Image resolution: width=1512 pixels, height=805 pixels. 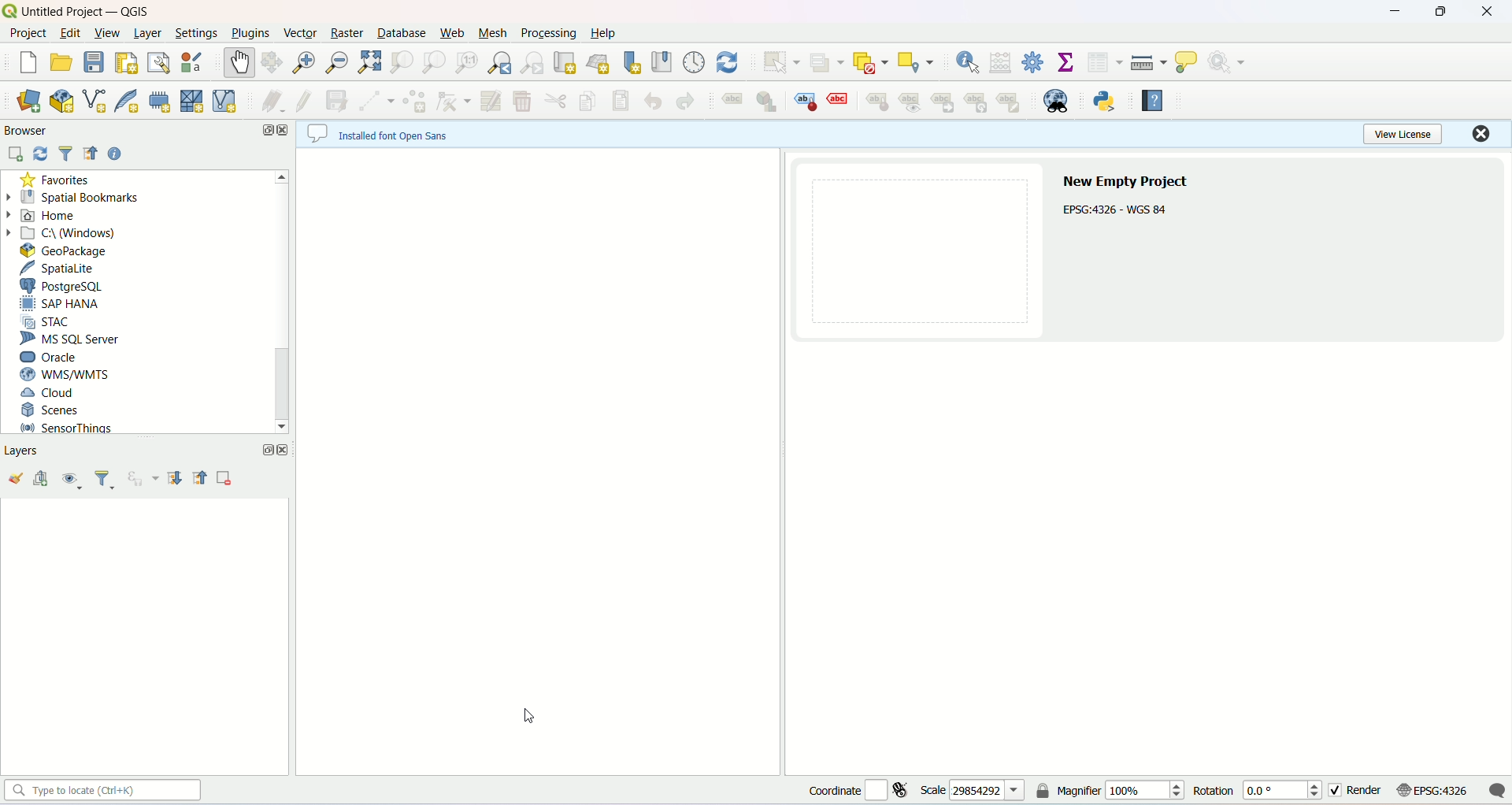 I want to click on collapse all, so click(x=200, y=478).